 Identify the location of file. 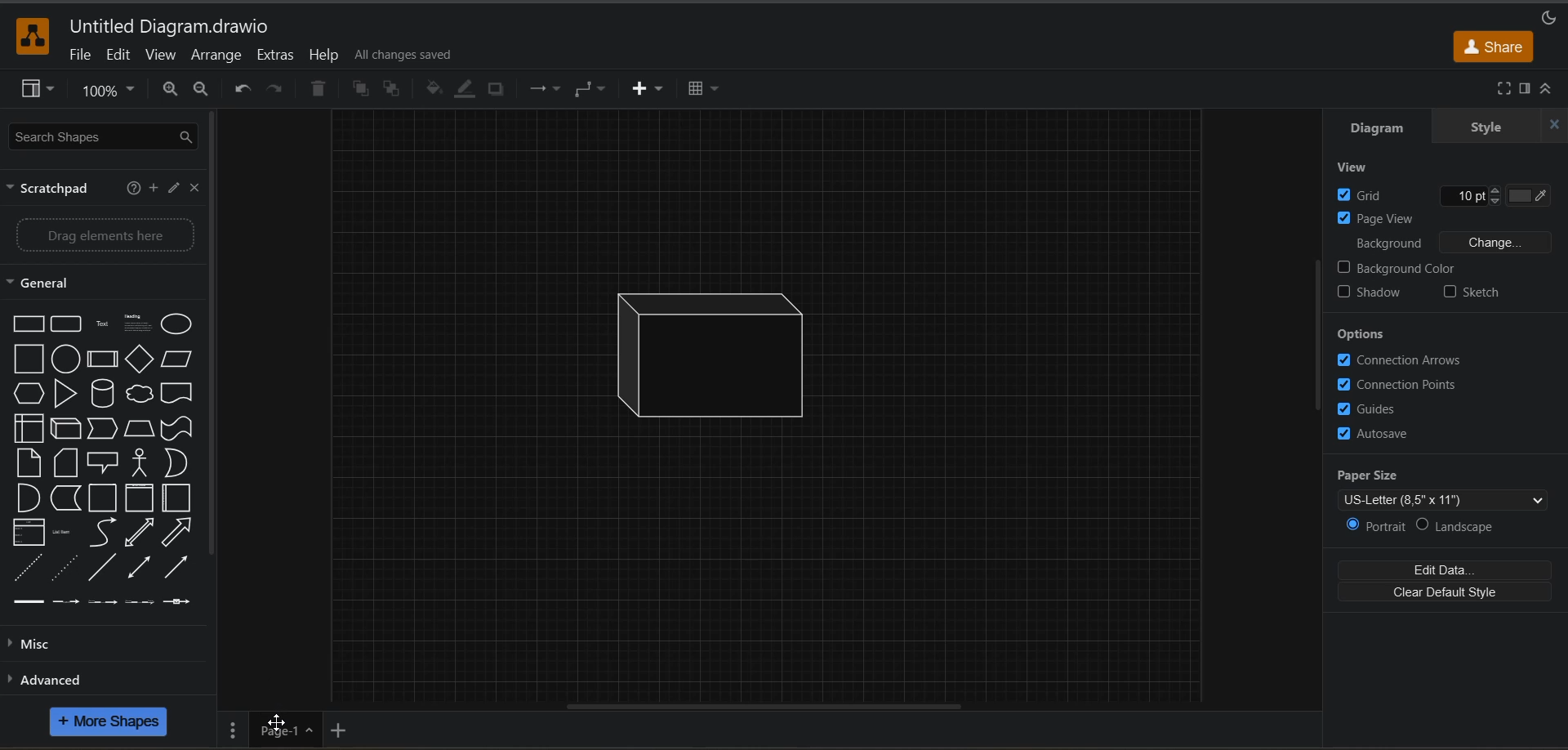
(78, 58).